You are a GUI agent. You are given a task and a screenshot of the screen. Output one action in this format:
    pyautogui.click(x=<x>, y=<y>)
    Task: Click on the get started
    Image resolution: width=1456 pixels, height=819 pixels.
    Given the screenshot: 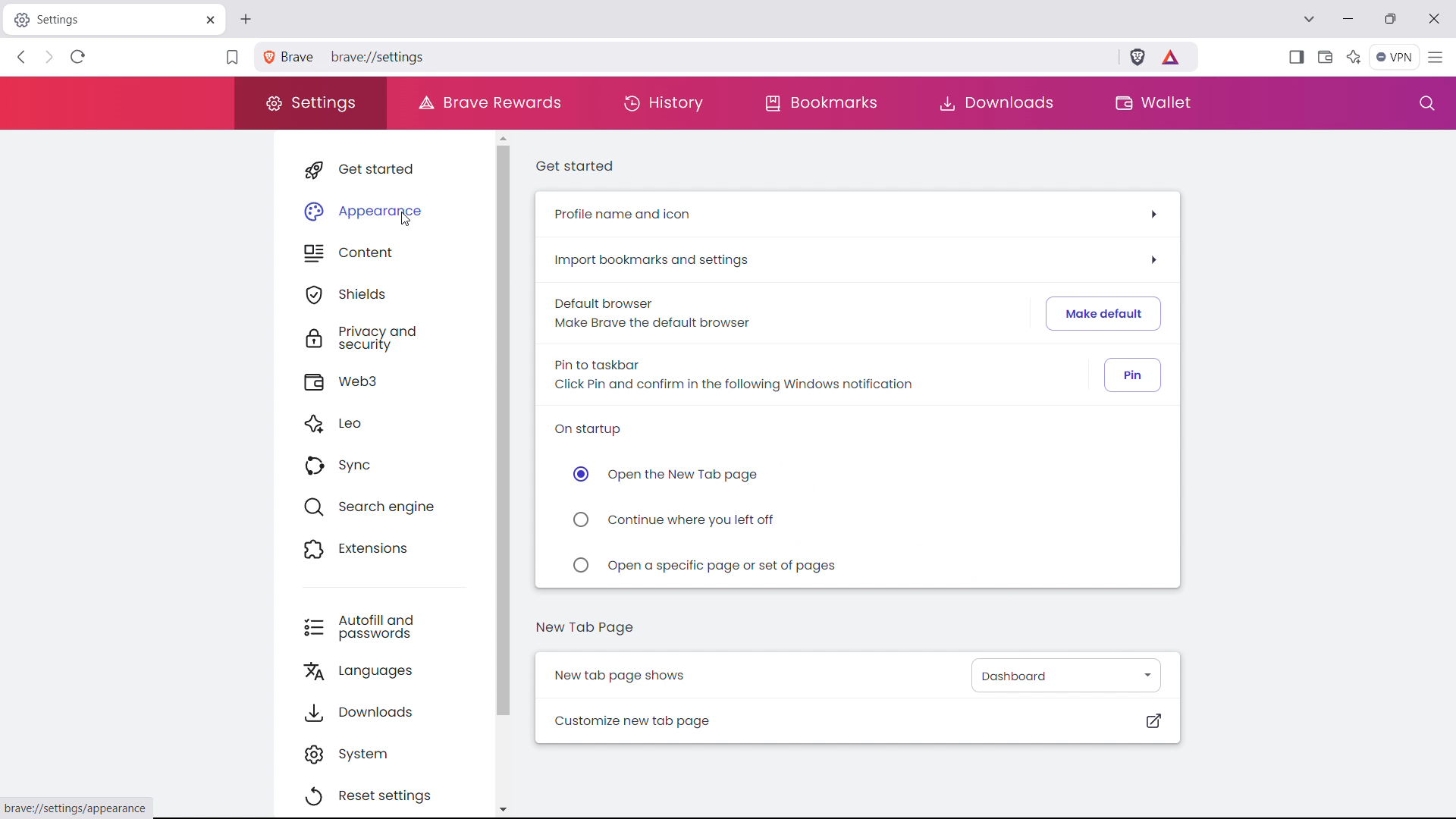 What is the action you would take?
    pyautogui.click(x=384, y=167)
    